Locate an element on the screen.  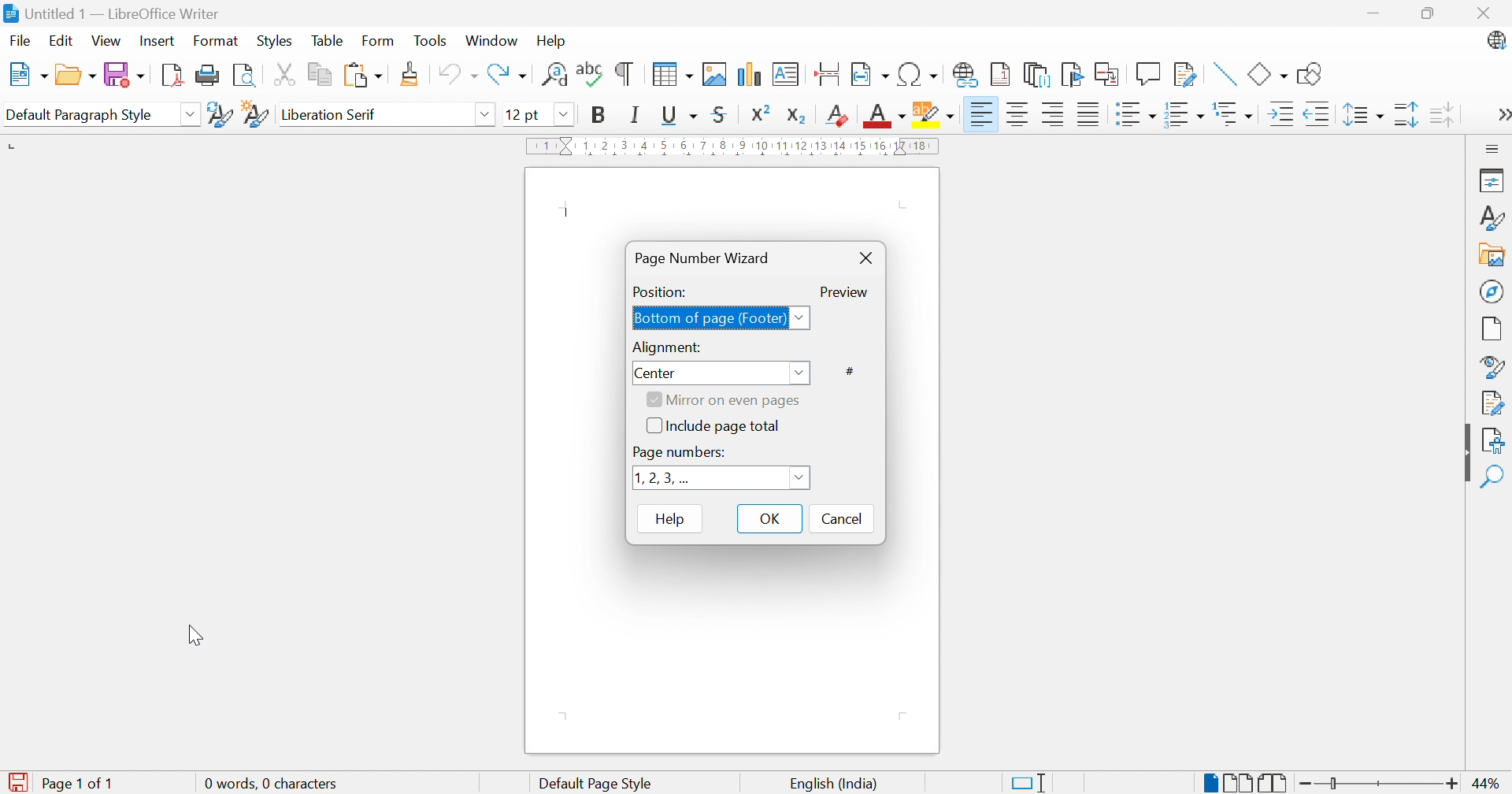
Restore down is located at coordinates (1432, 13).